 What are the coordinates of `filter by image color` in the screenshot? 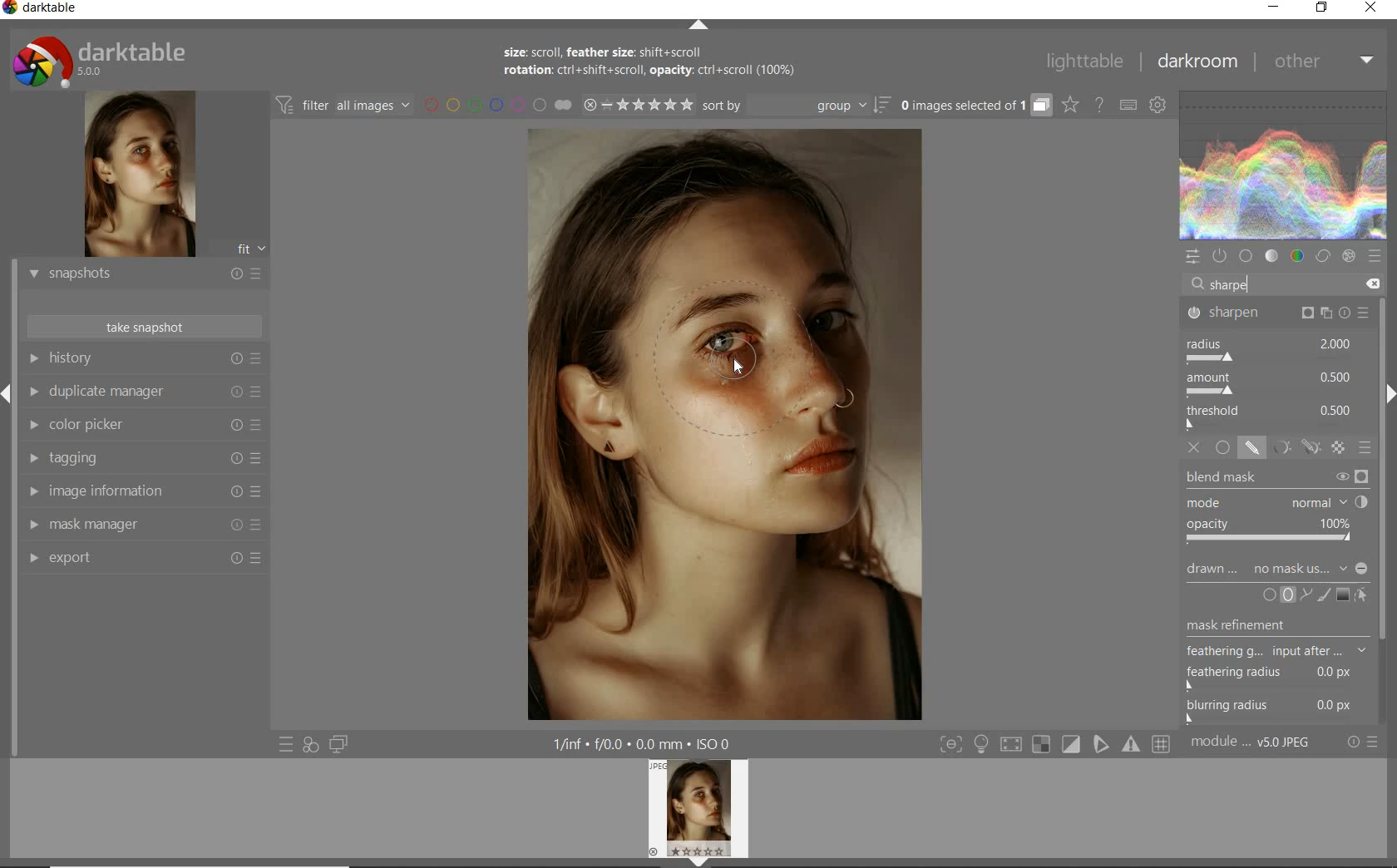 It's located at (497, 106).